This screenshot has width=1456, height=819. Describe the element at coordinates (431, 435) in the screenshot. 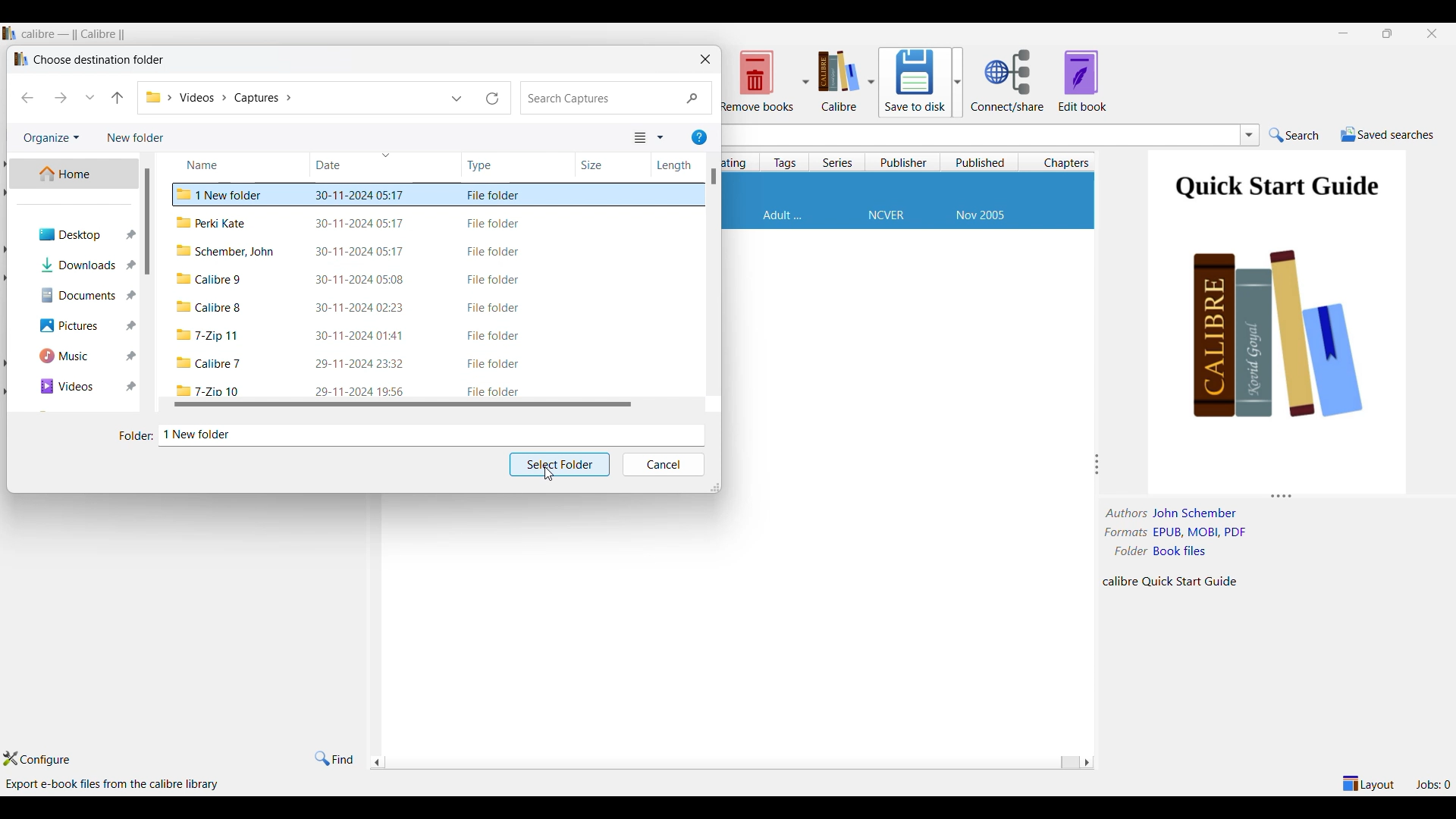

I see `Type in folder name` at that location.